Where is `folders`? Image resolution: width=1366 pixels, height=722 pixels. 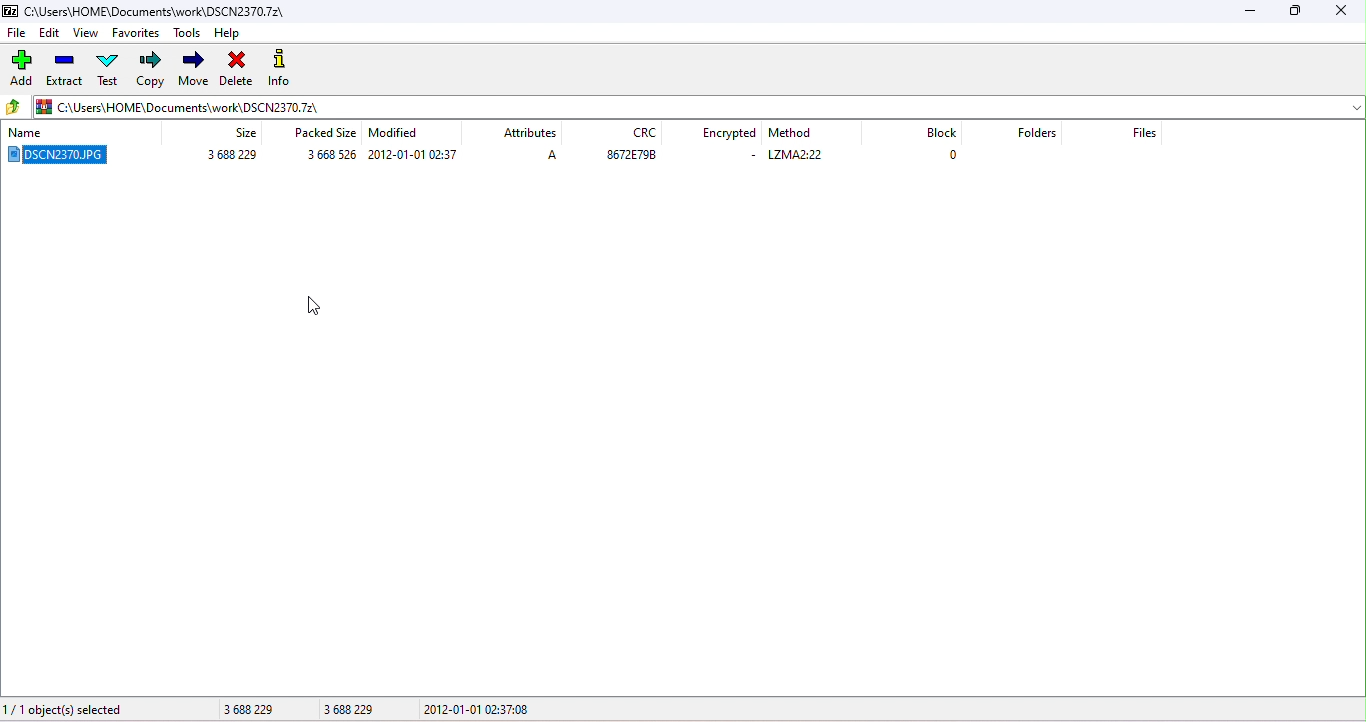
folders is located at coordinates (1038, 134).